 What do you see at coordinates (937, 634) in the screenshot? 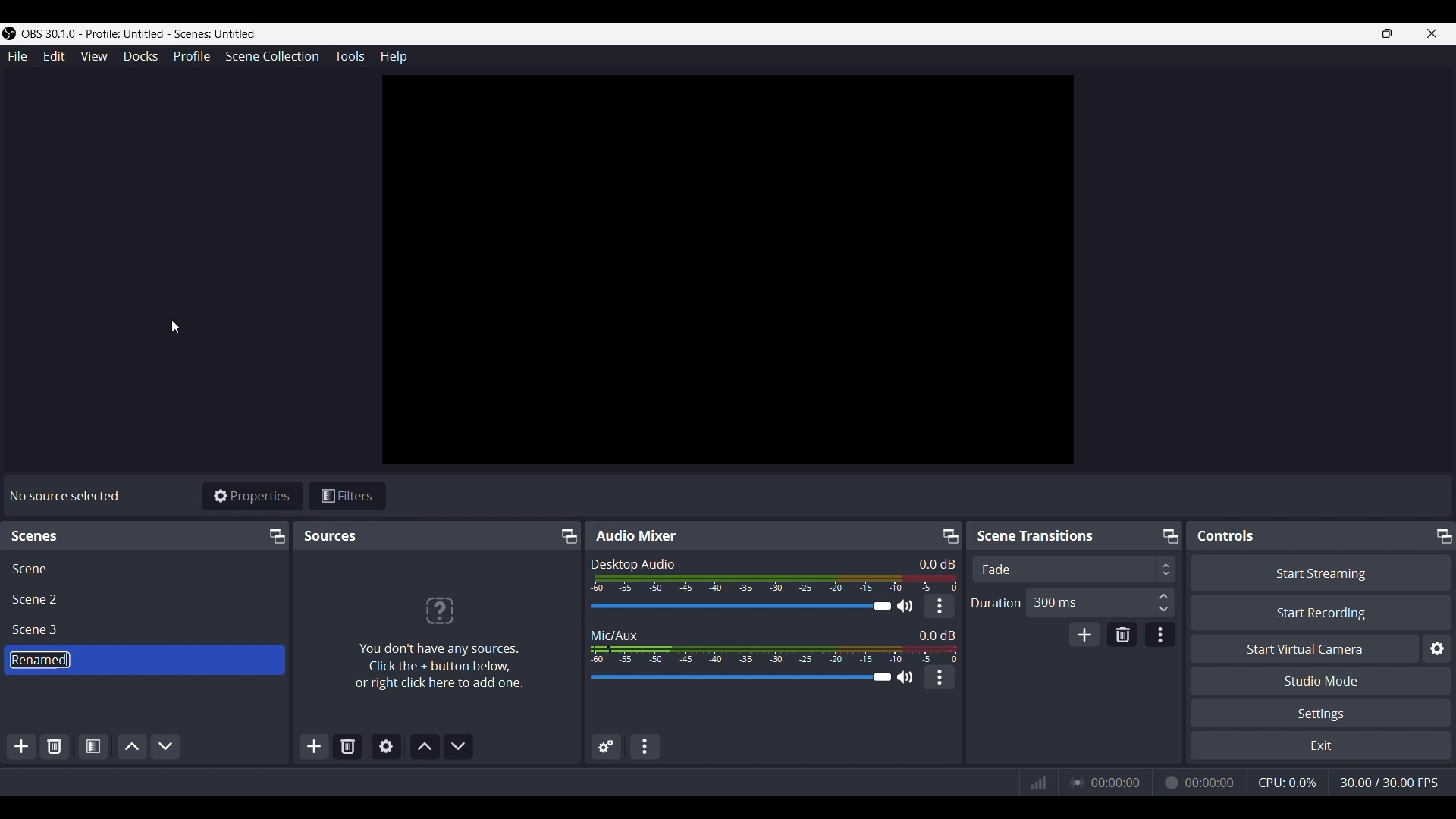
I see `Audio Level Indicator` at bounding box center [937, 634].